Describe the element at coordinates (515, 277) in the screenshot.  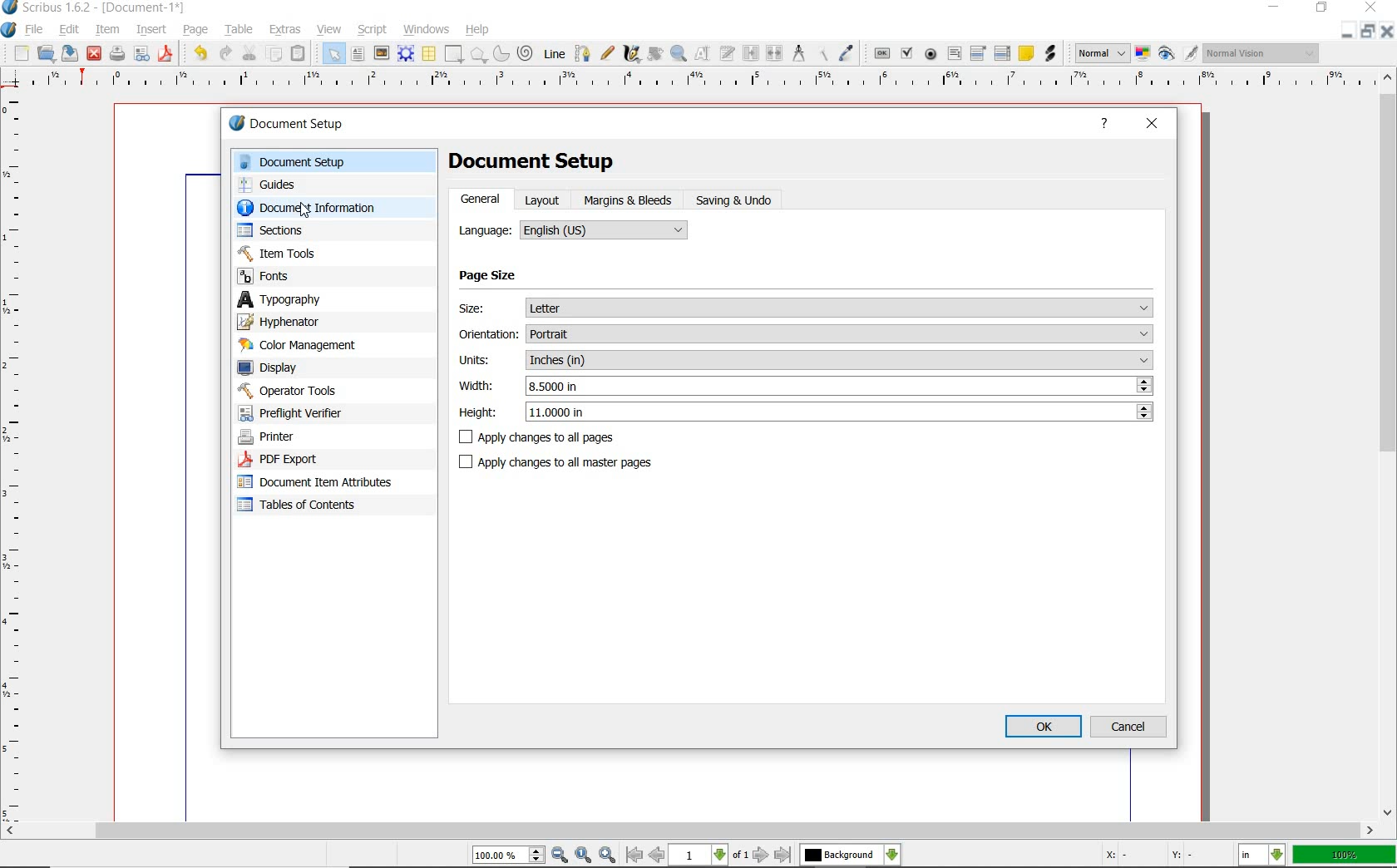
I see `page size` at that location.